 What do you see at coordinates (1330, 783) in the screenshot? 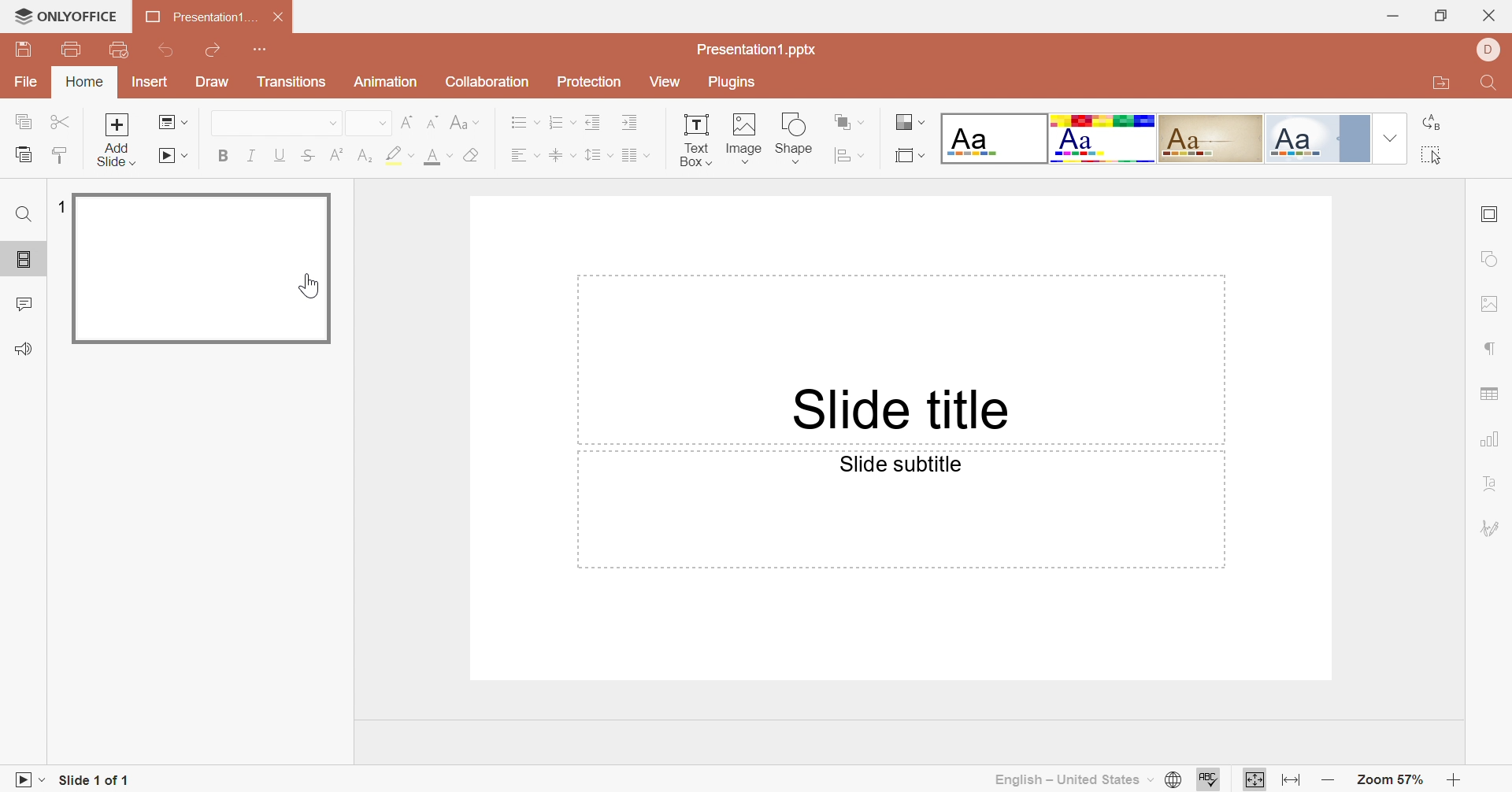
I see `Zoom out` at bounding box center [1330, 783].